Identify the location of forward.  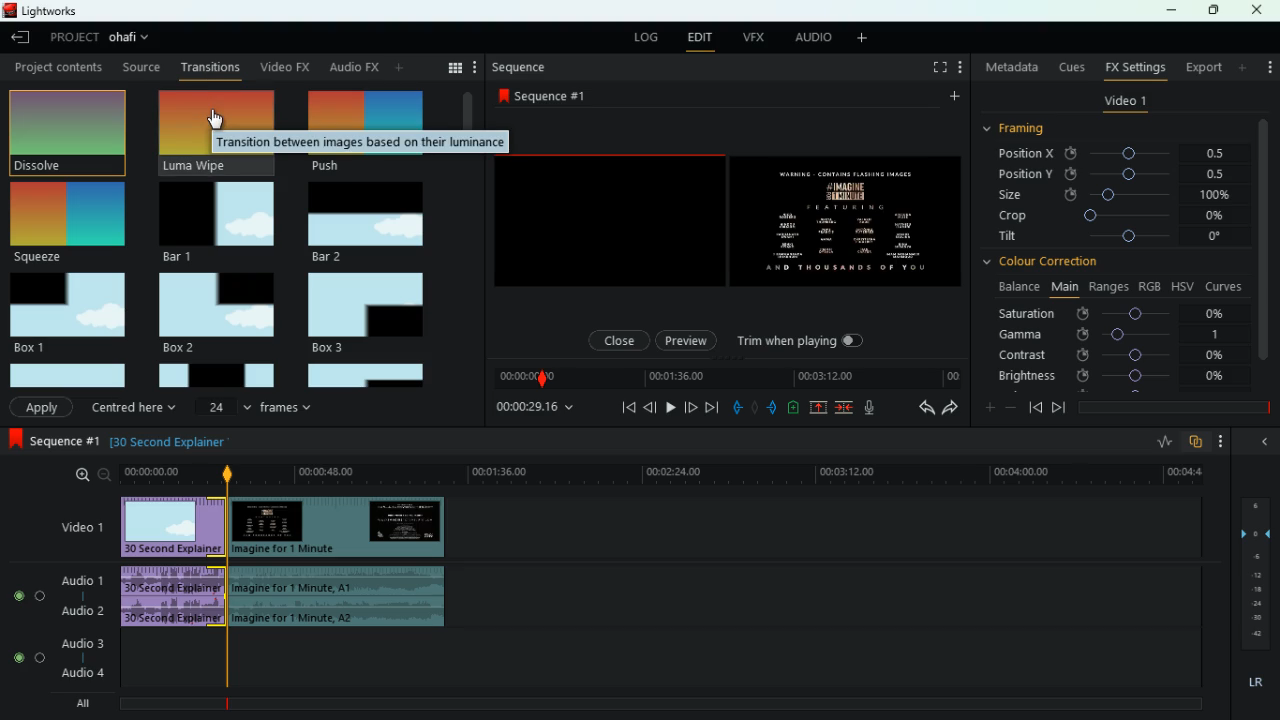
(950, 409).